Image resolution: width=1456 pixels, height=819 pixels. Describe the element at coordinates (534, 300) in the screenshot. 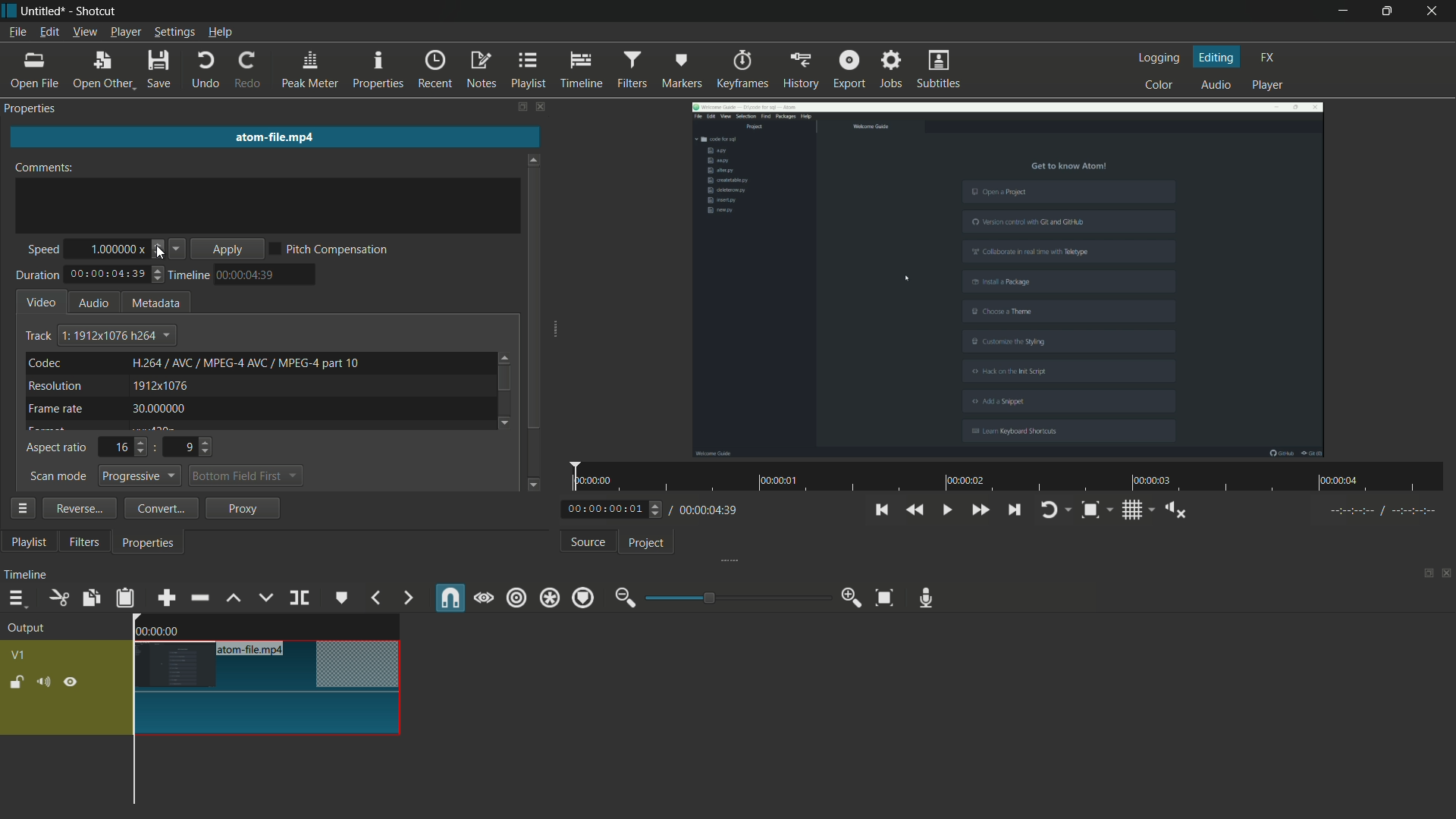

I see `scroll bar` at that location.